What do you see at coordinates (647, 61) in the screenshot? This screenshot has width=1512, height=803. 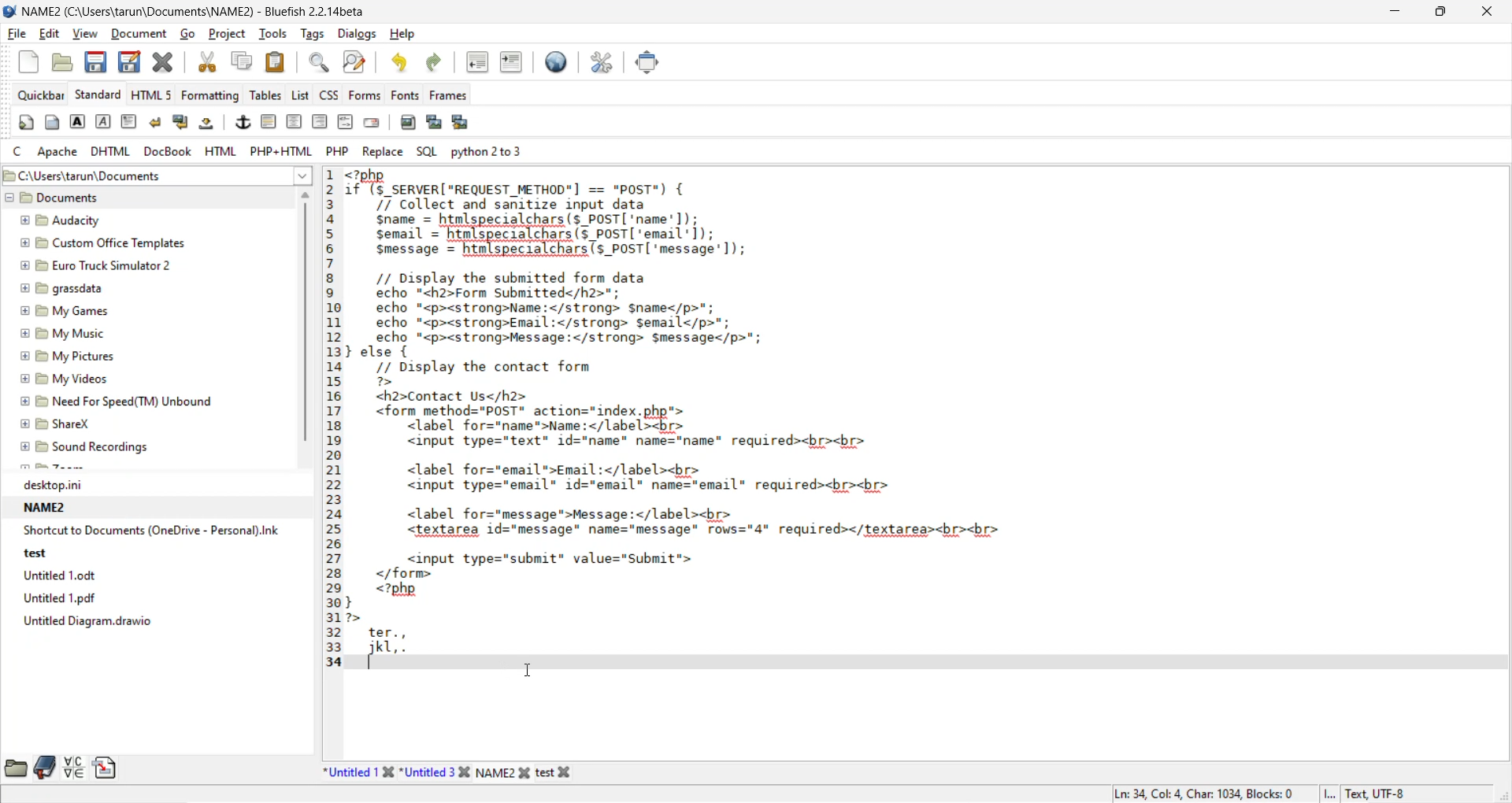 I see `fullscreen` at bounding box center [647, 61].